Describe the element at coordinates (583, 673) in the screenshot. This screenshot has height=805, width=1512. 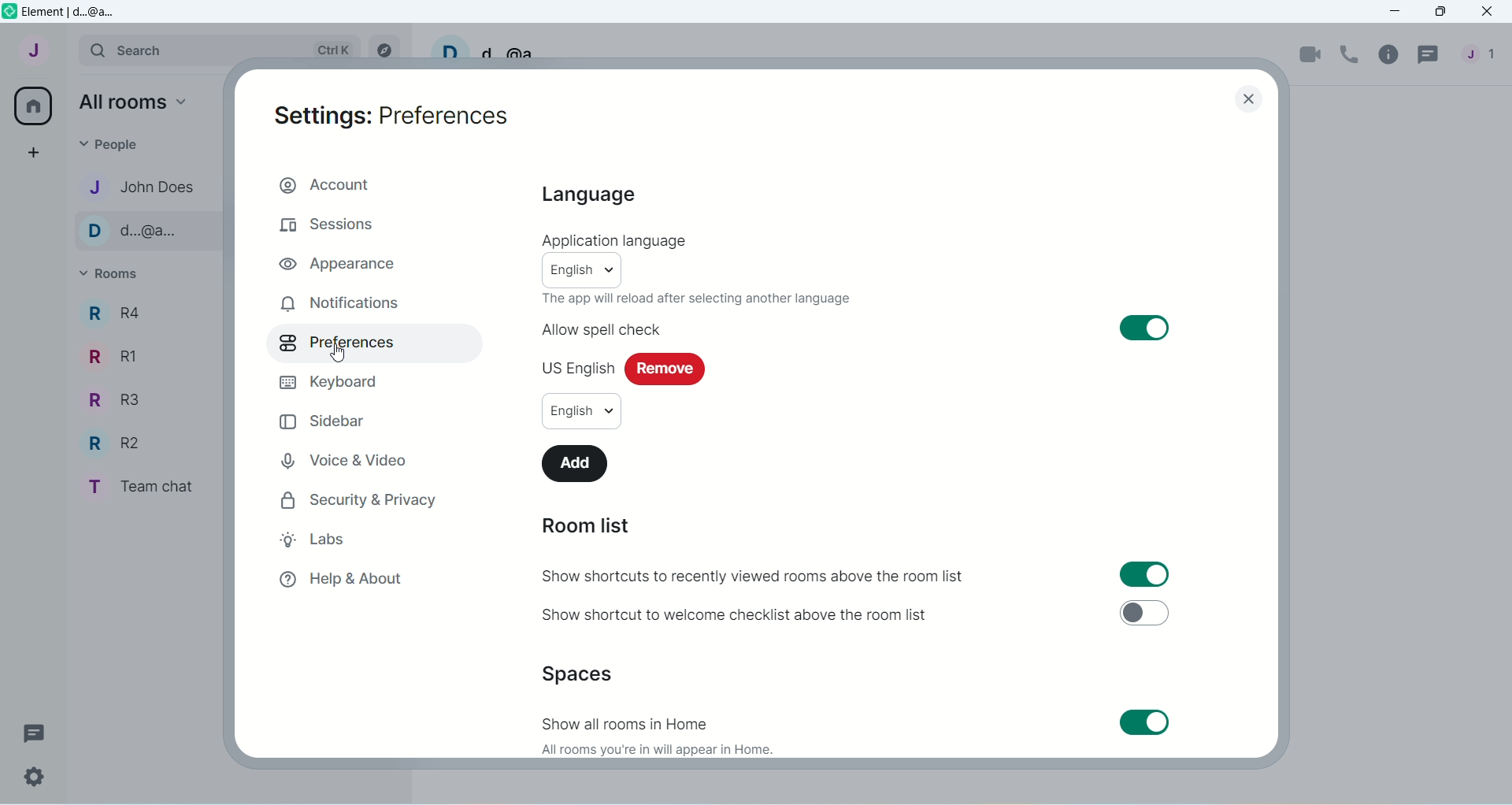
I see `Spaces` at that location.